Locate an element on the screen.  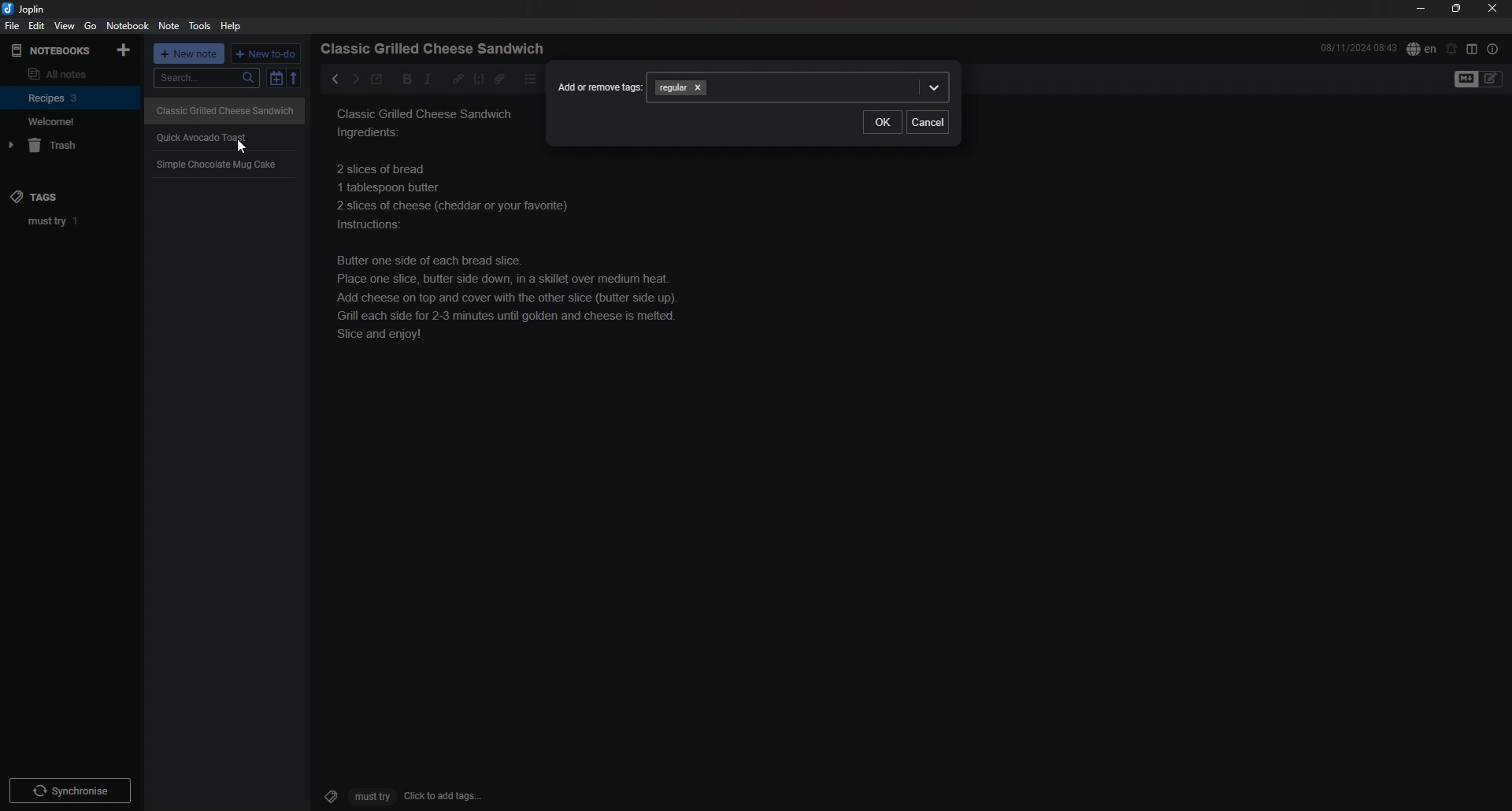
go is located at coordinates (91, 25).